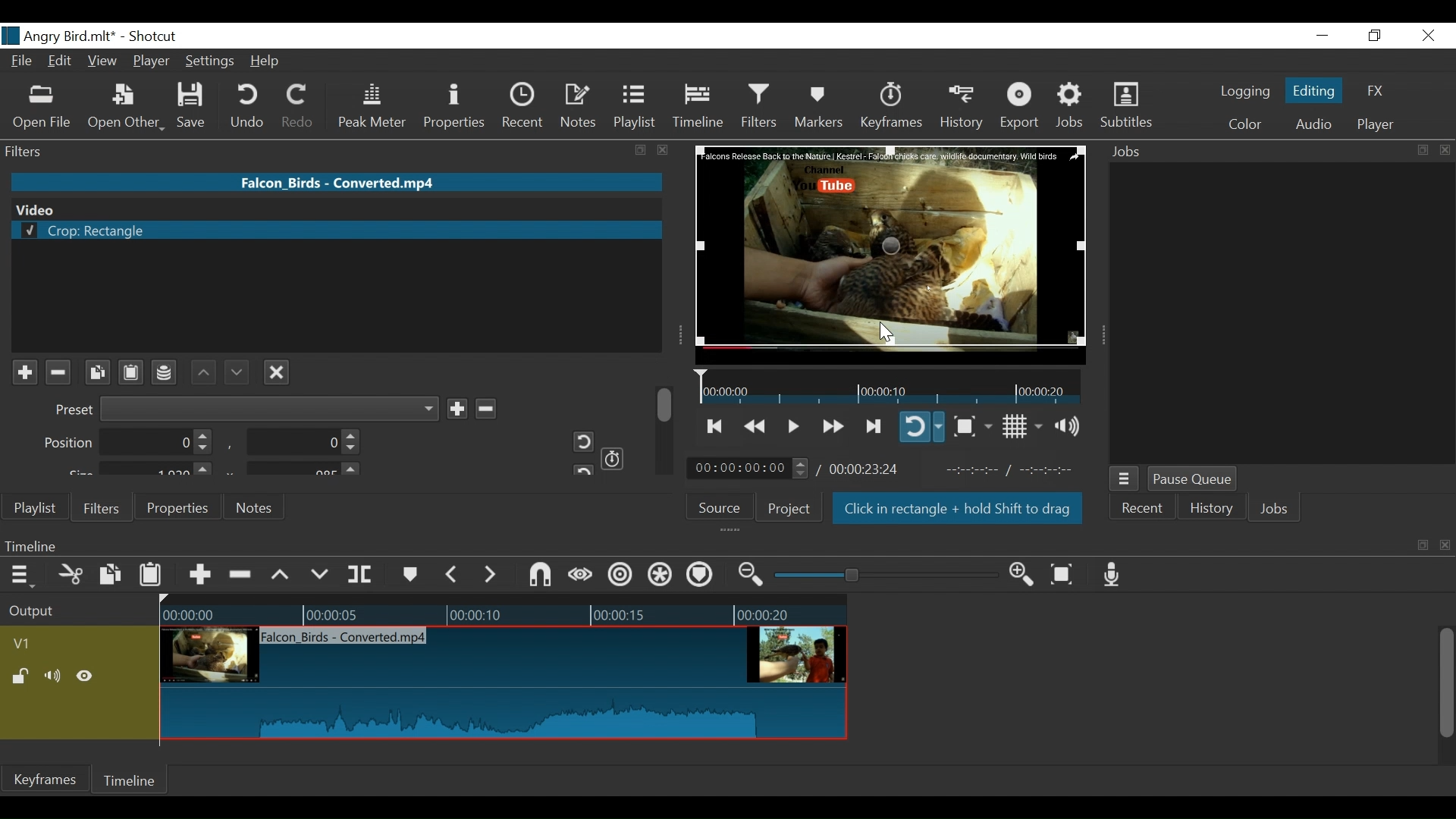  What do you see at coordinates (1375, 36) in the screenshot?
I see `Restore` at bounding box center [1375, 36].